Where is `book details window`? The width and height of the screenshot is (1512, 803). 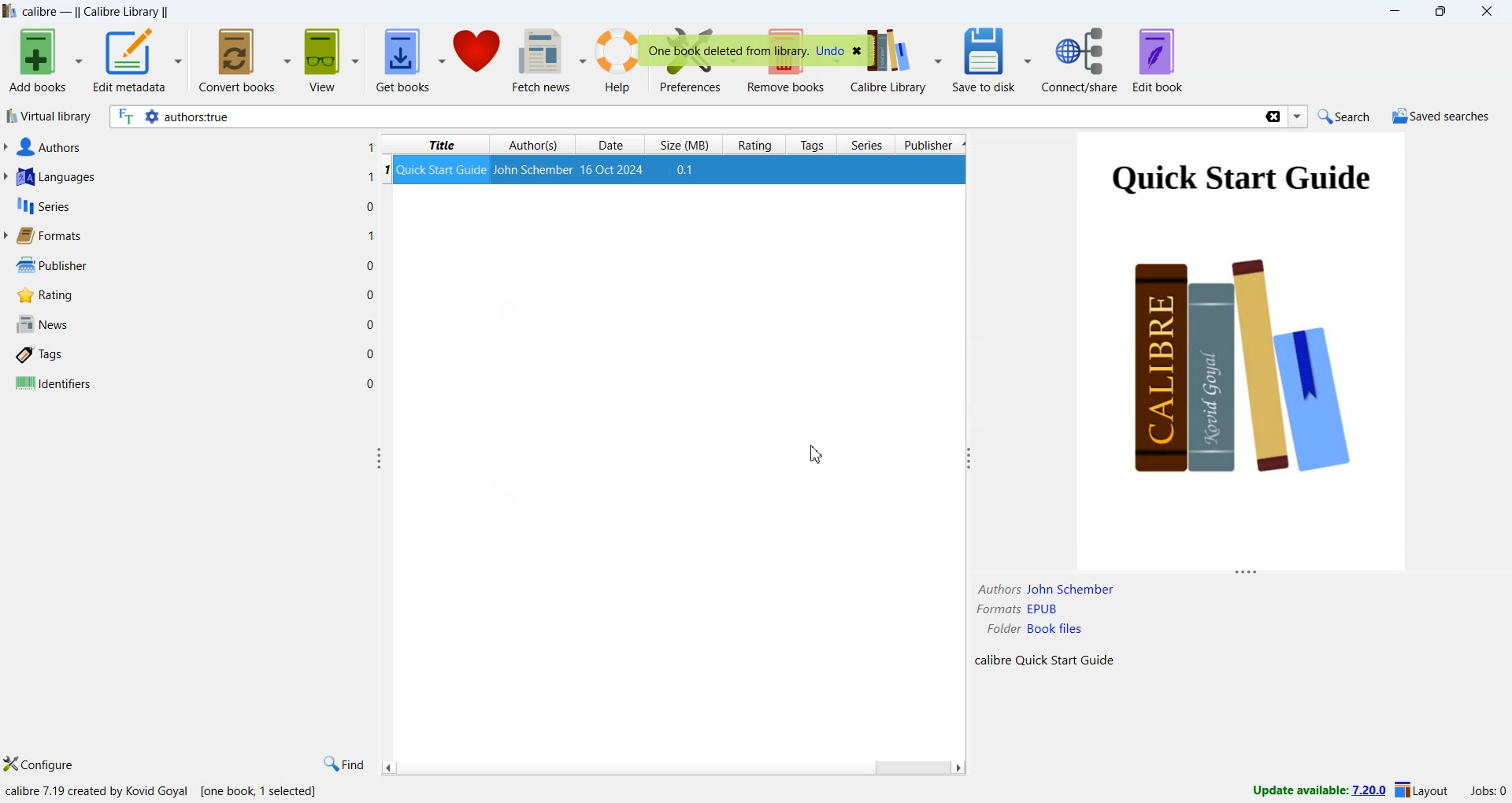 book details window is located at coordinates (1240, 361).